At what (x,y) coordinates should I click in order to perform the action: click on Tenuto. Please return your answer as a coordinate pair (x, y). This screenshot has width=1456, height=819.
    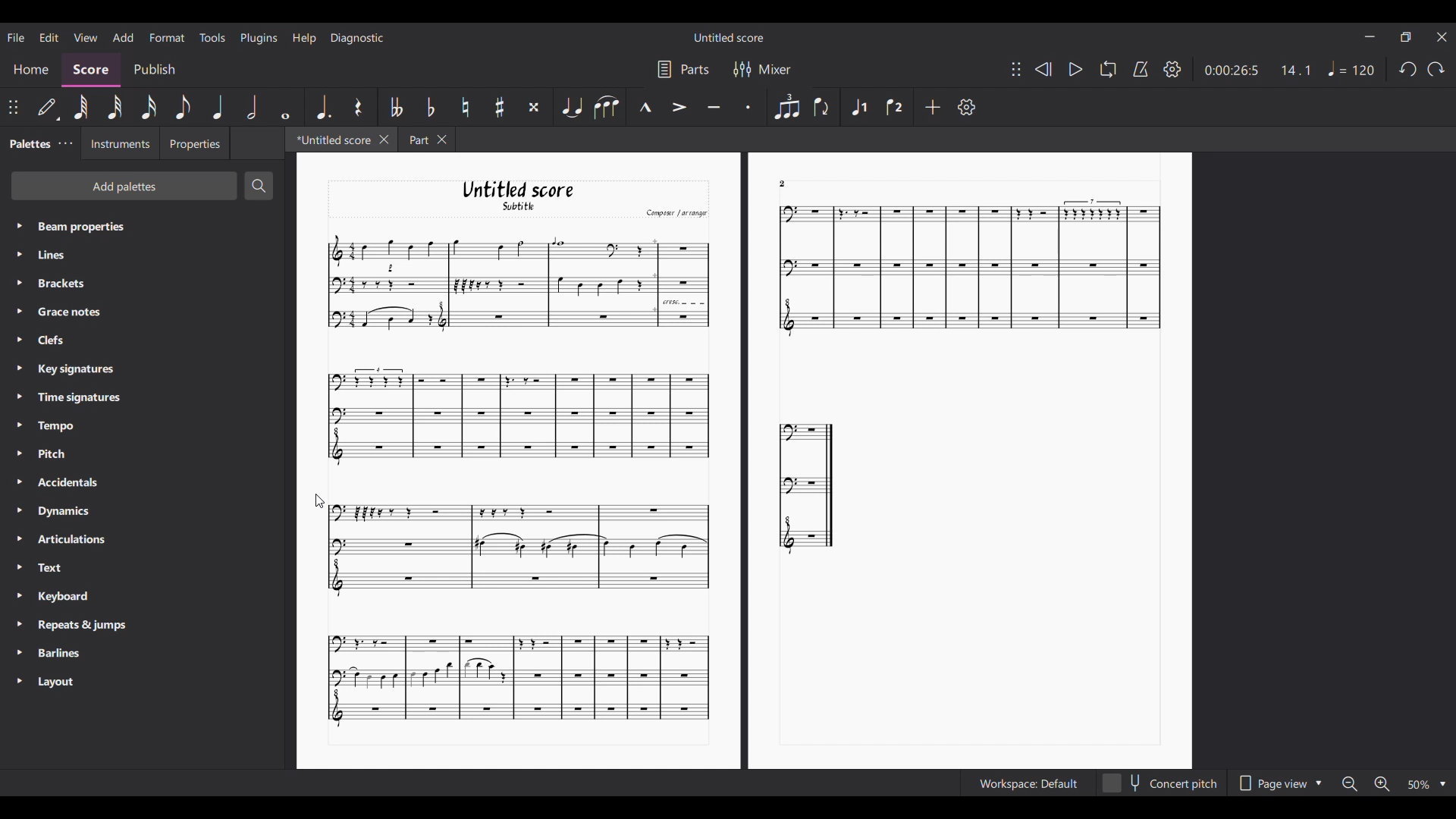
    Looking at the image, I should click on (713, 108).